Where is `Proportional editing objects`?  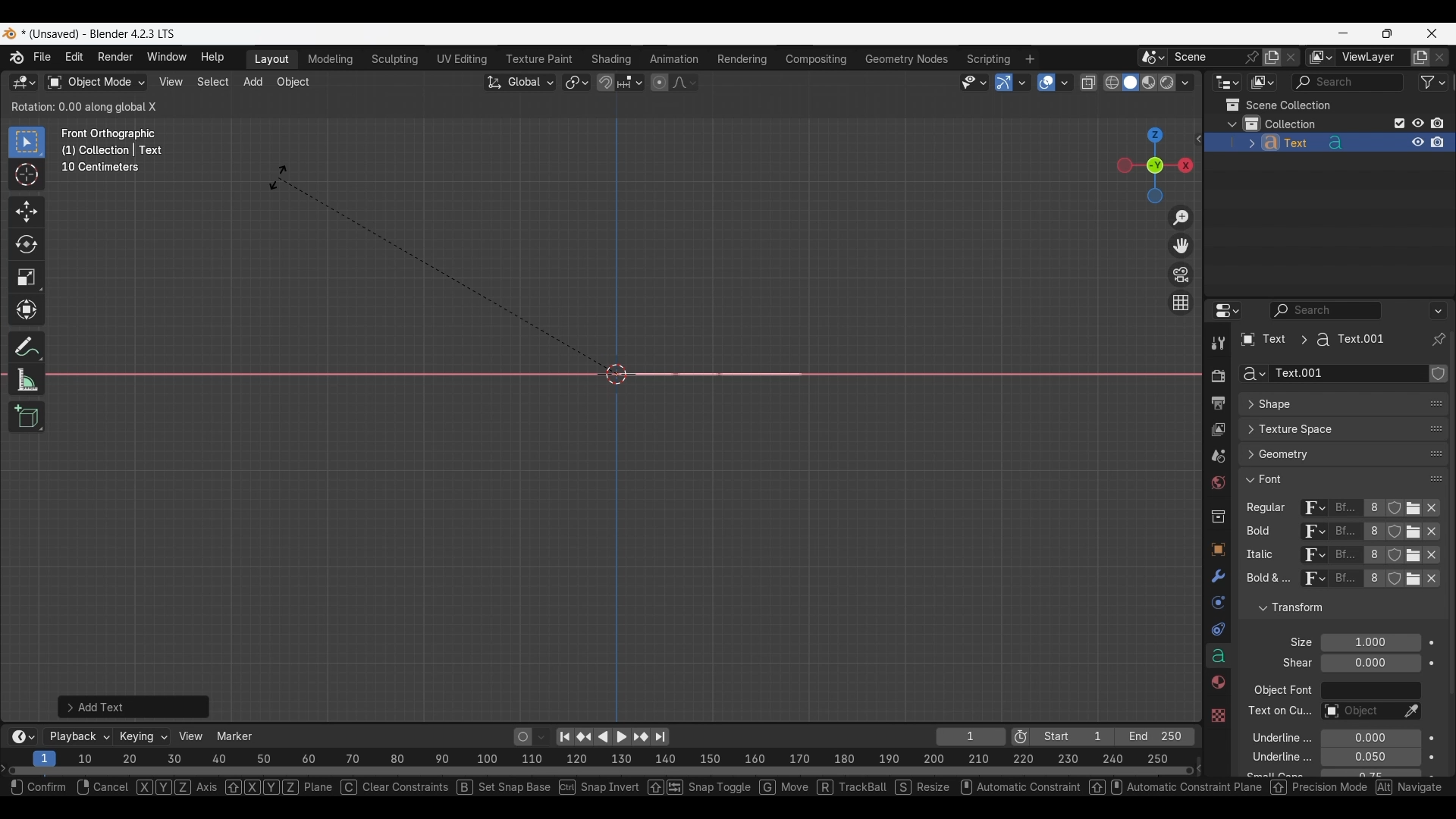
Proportional editing objects is located at coordinates (659, 82).